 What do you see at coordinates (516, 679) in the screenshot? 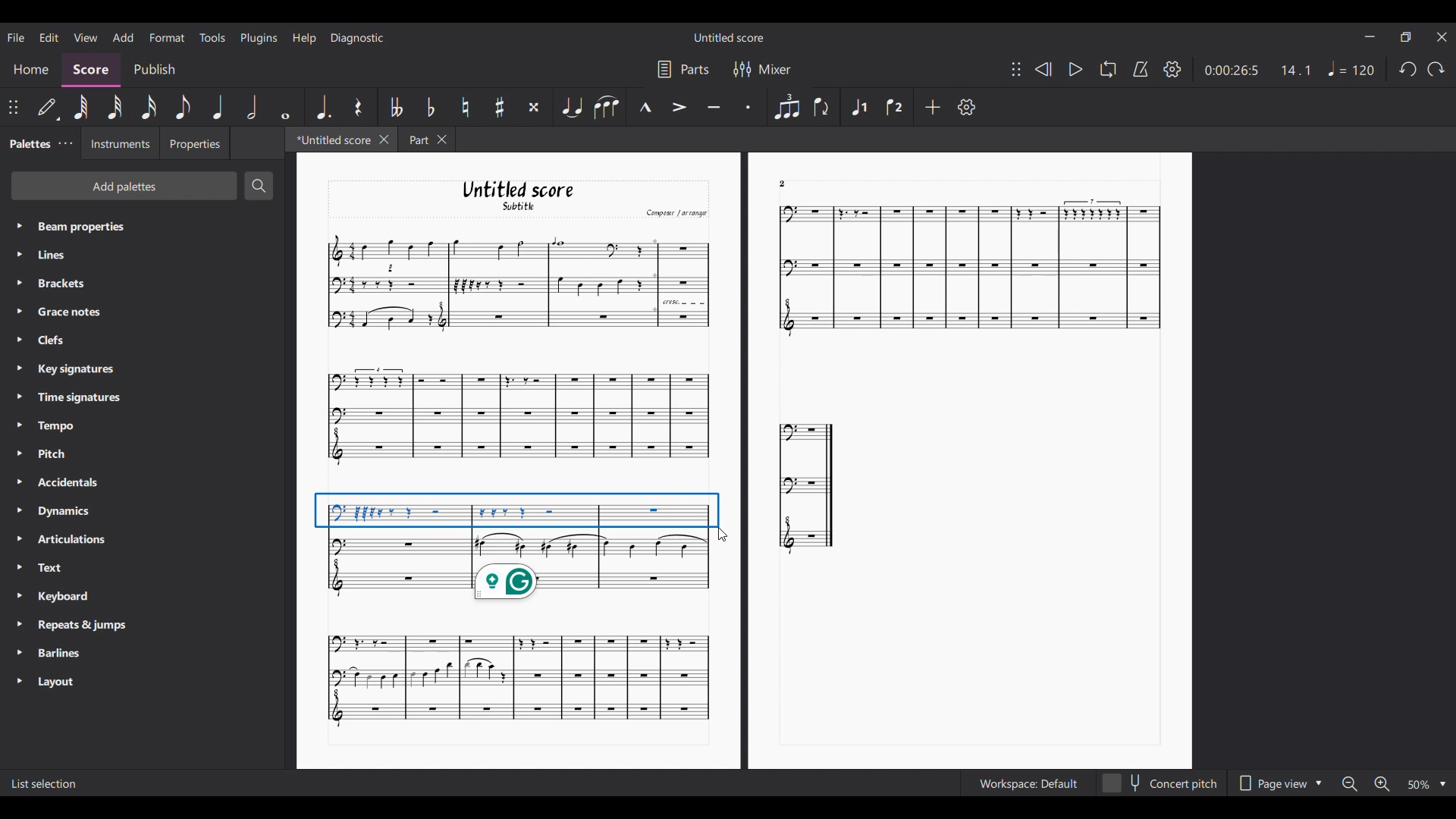
I see `Graph` at bounding box center [516, 679].